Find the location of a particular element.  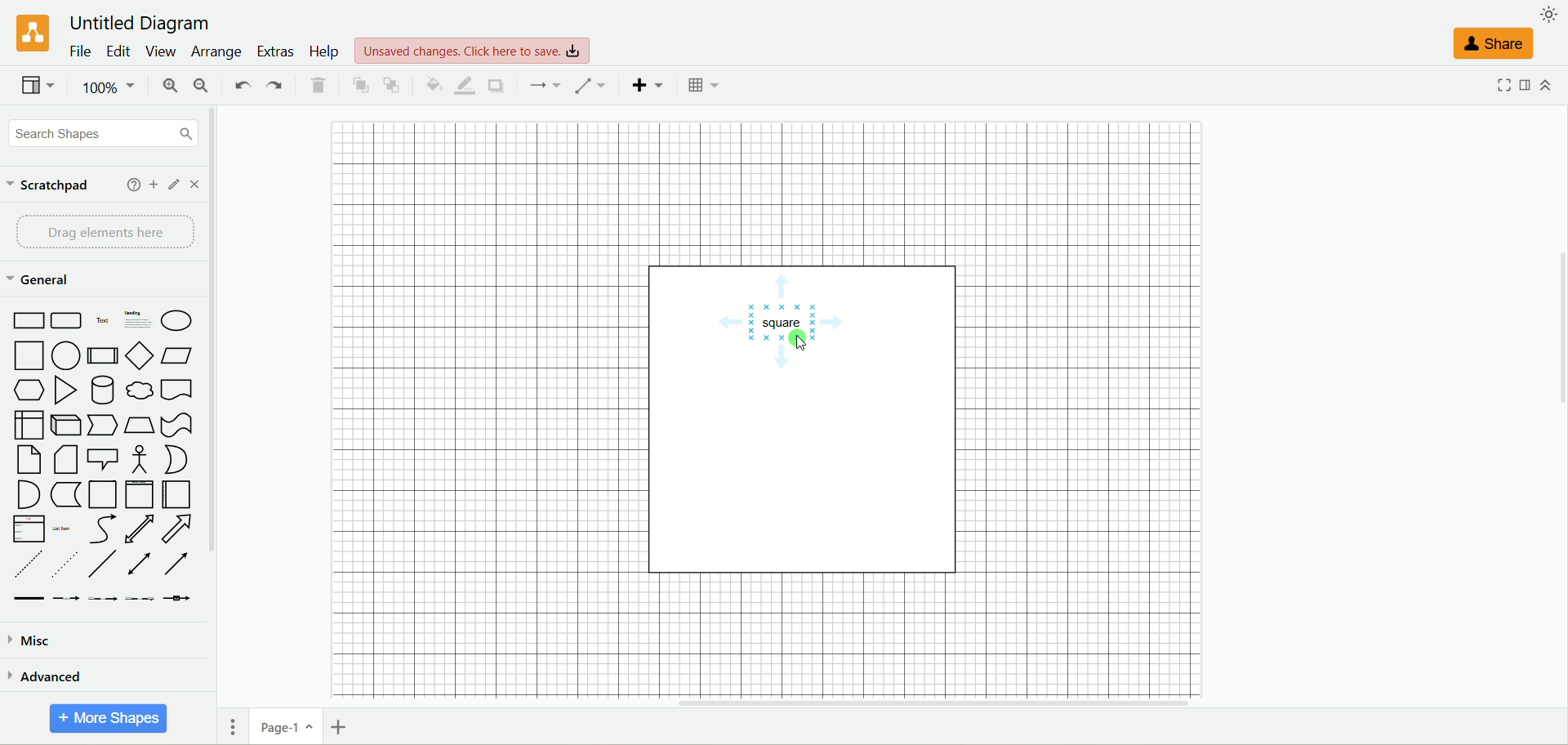

extras is located at coordinates (276, 52).